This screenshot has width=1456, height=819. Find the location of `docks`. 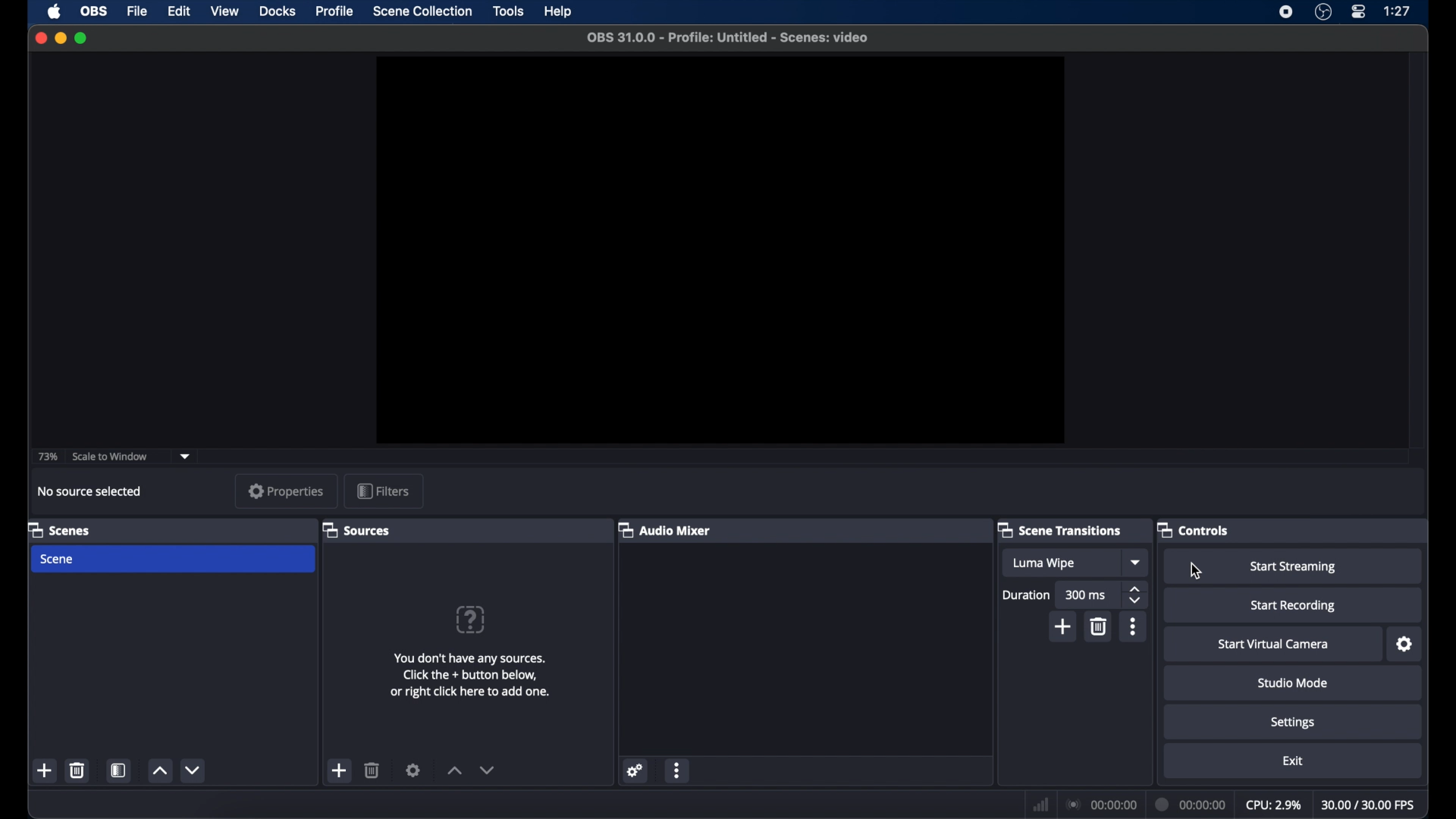

docks is located at coordinates (278, 11).